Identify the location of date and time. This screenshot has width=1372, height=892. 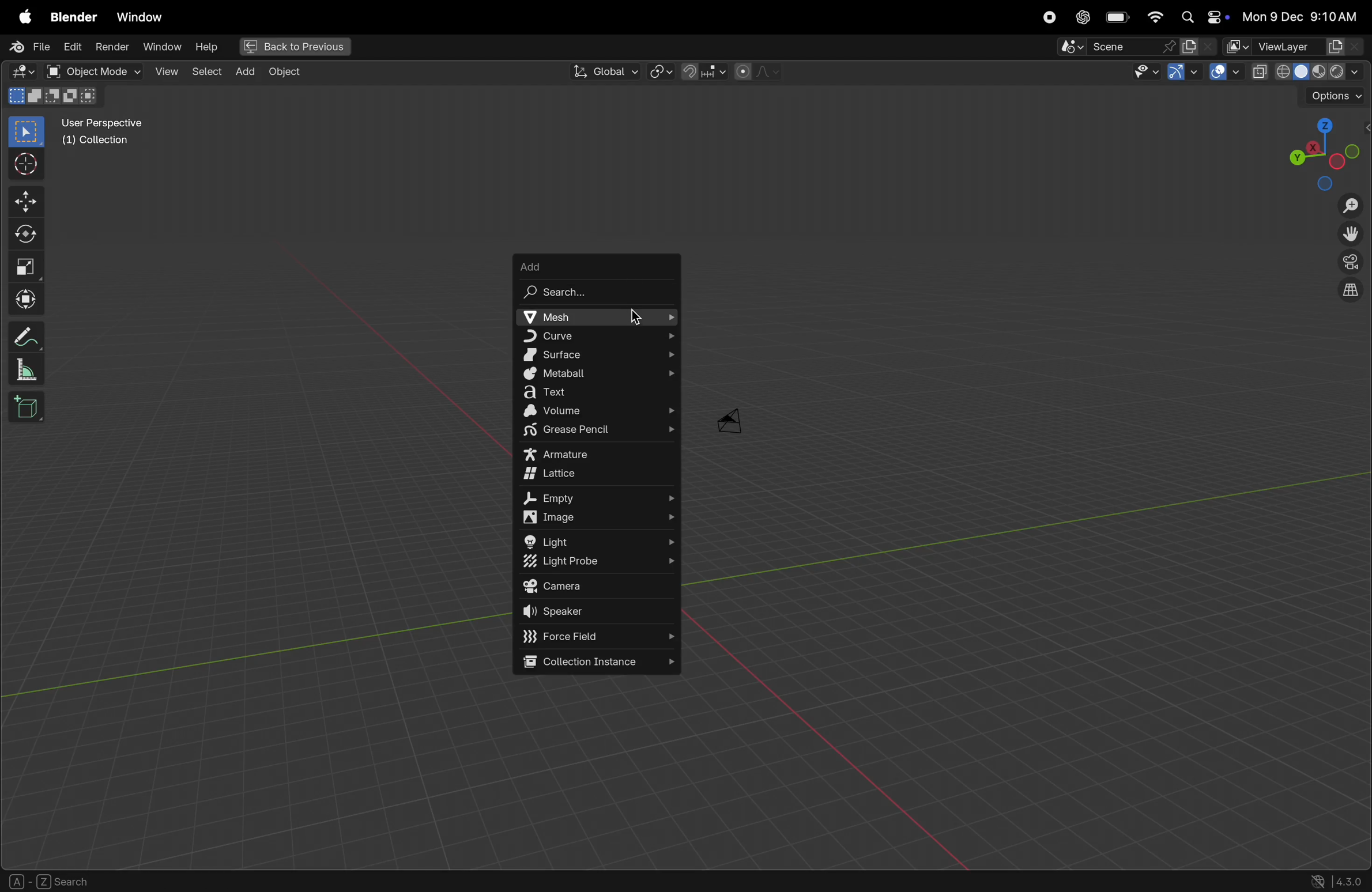
(1304, 16).